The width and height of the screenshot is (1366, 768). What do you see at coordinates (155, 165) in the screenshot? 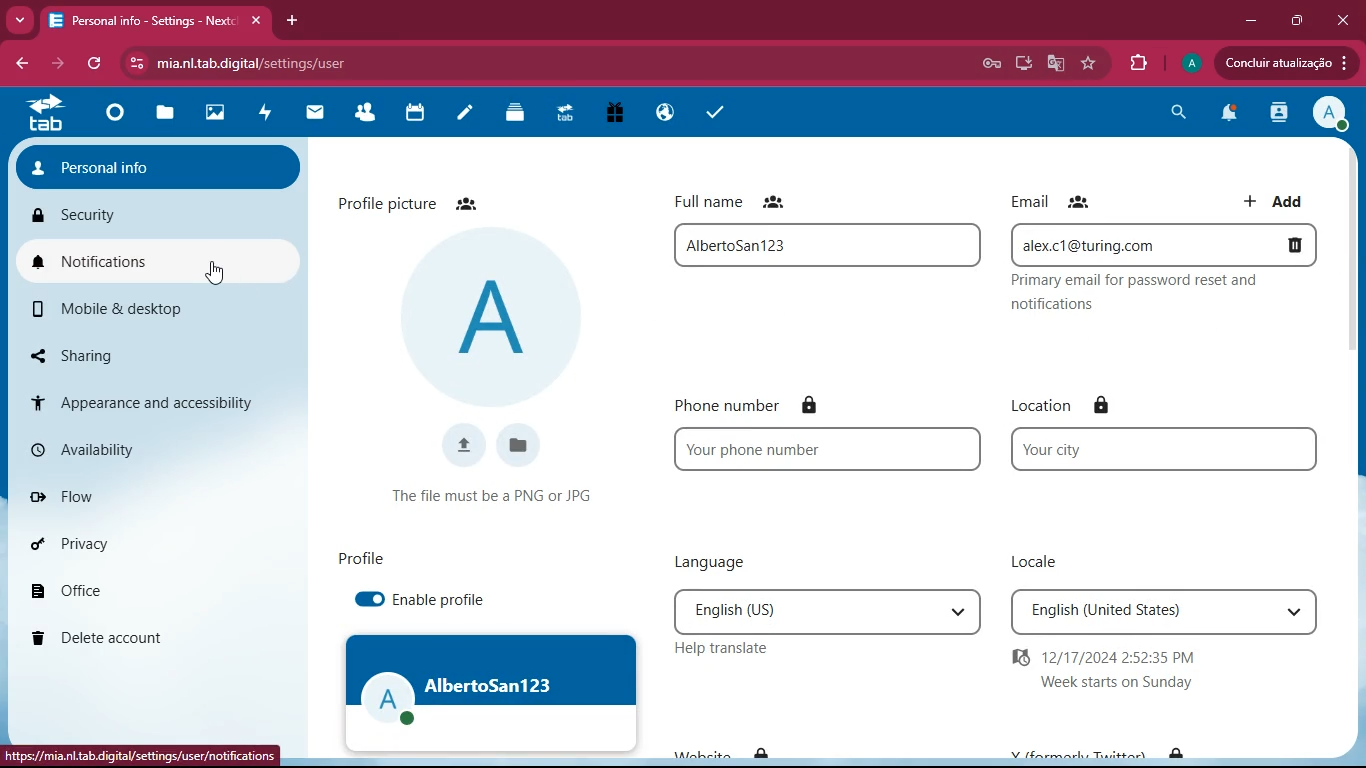
I see `personal info` at bounding box center [155, 165].